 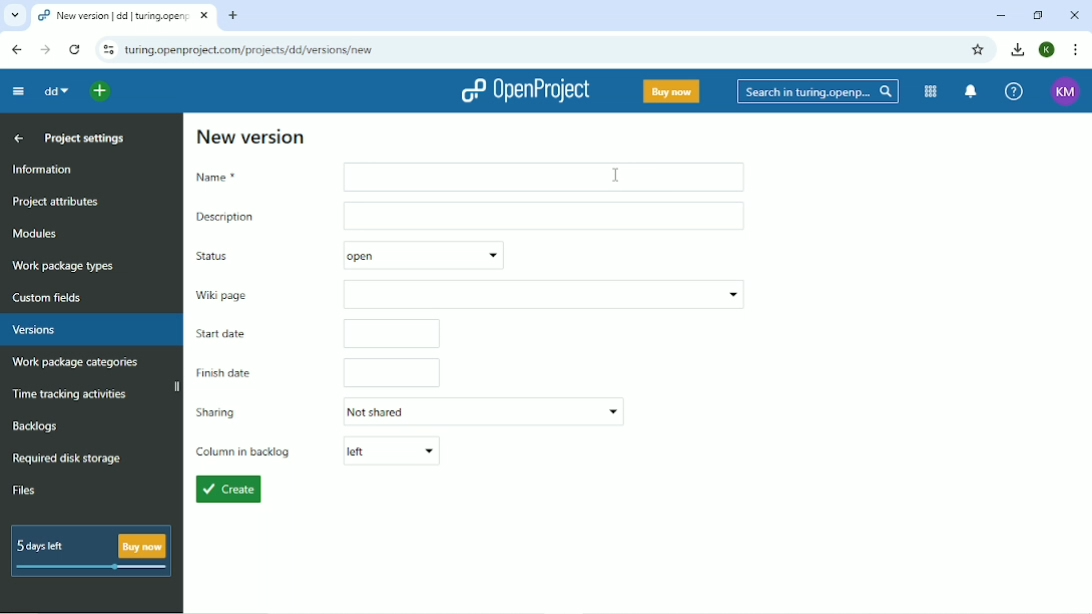 I want to click on Information, so click(x=47, y=169).